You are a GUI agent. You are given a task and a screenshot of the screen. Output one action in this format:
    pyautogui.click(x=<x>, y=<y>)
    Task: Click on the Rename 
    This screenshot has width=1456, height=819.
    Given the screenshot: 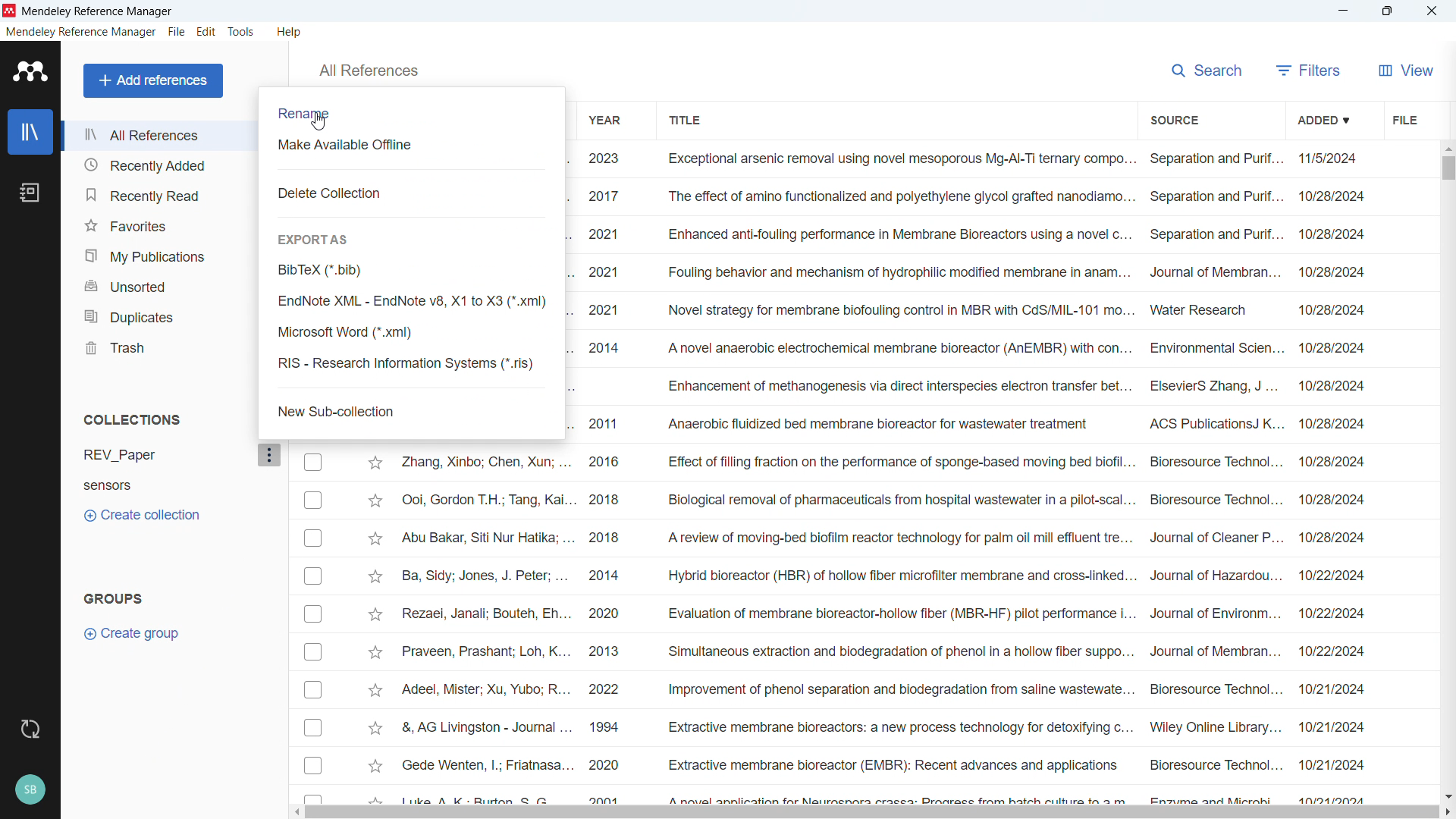 What is the action you would take?
    pyautogui.click(x=306, y=114)
    